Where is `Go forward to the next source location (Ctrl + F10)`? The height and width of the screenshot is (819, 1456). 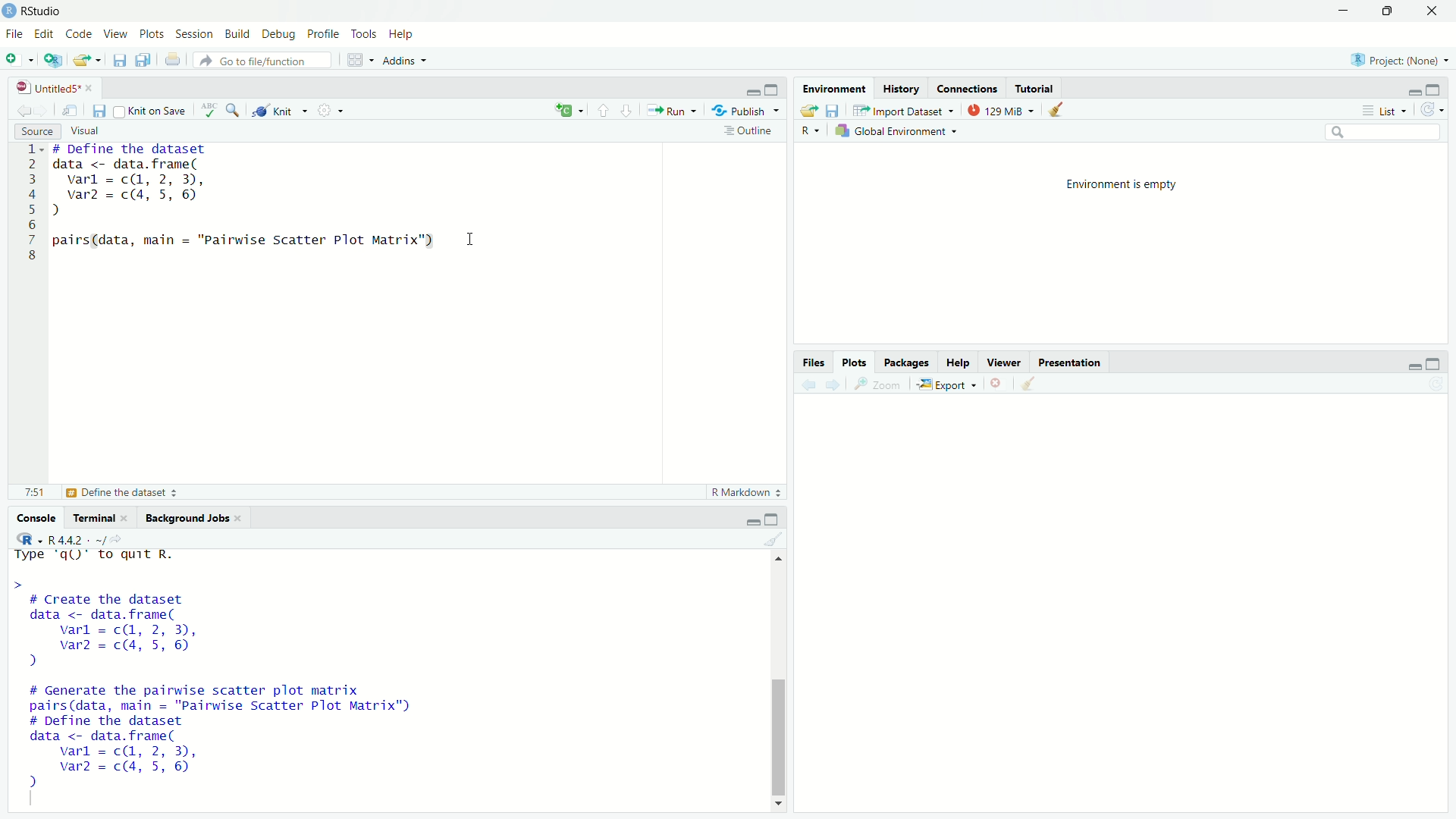 Go forward to the next source location (Ctrl + F10) is located at coordinates (830, 383).